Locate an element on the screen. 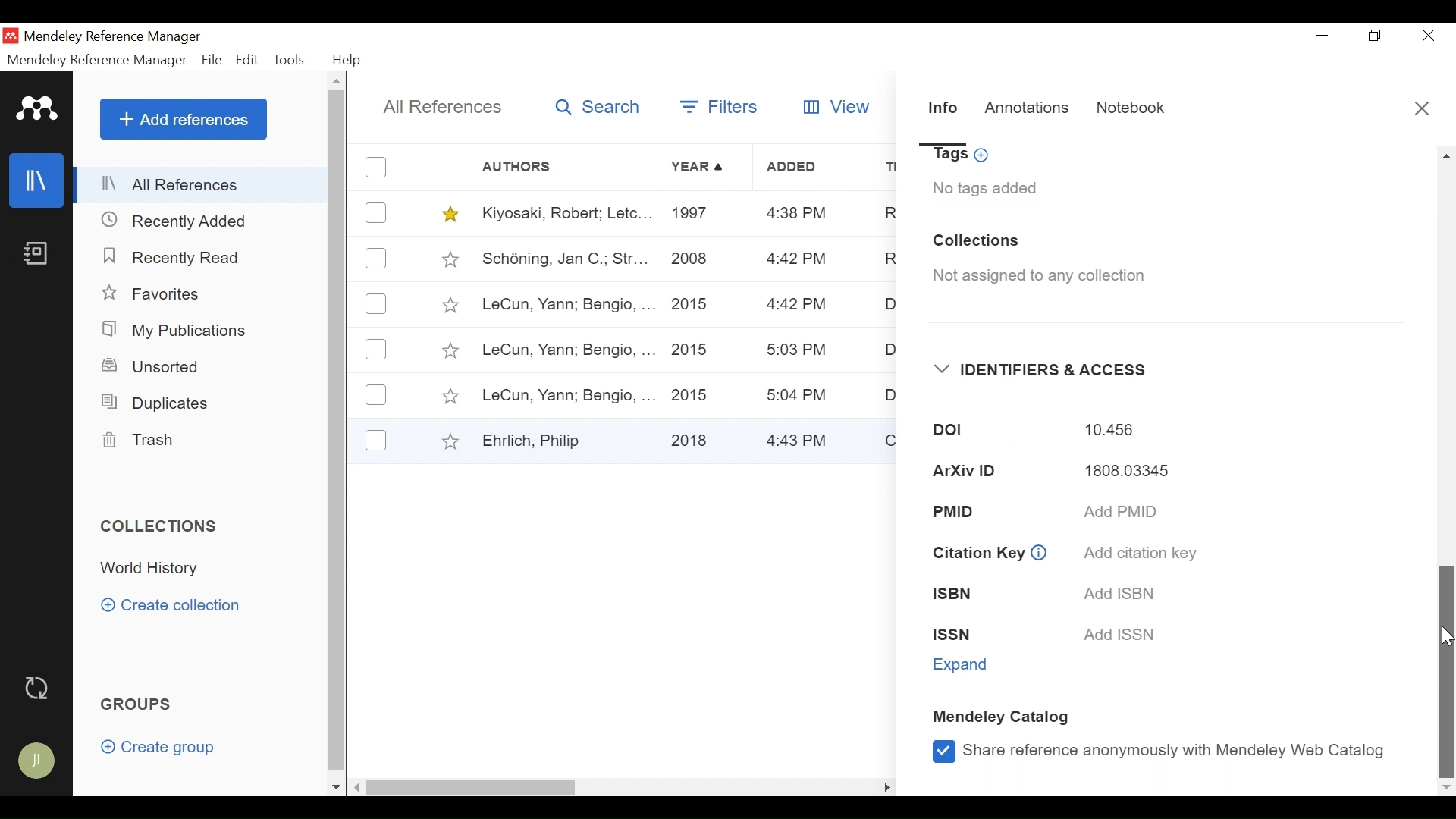 The height and width of the screenshot is (819, 1456). Help is located at coordinates (347, 60).